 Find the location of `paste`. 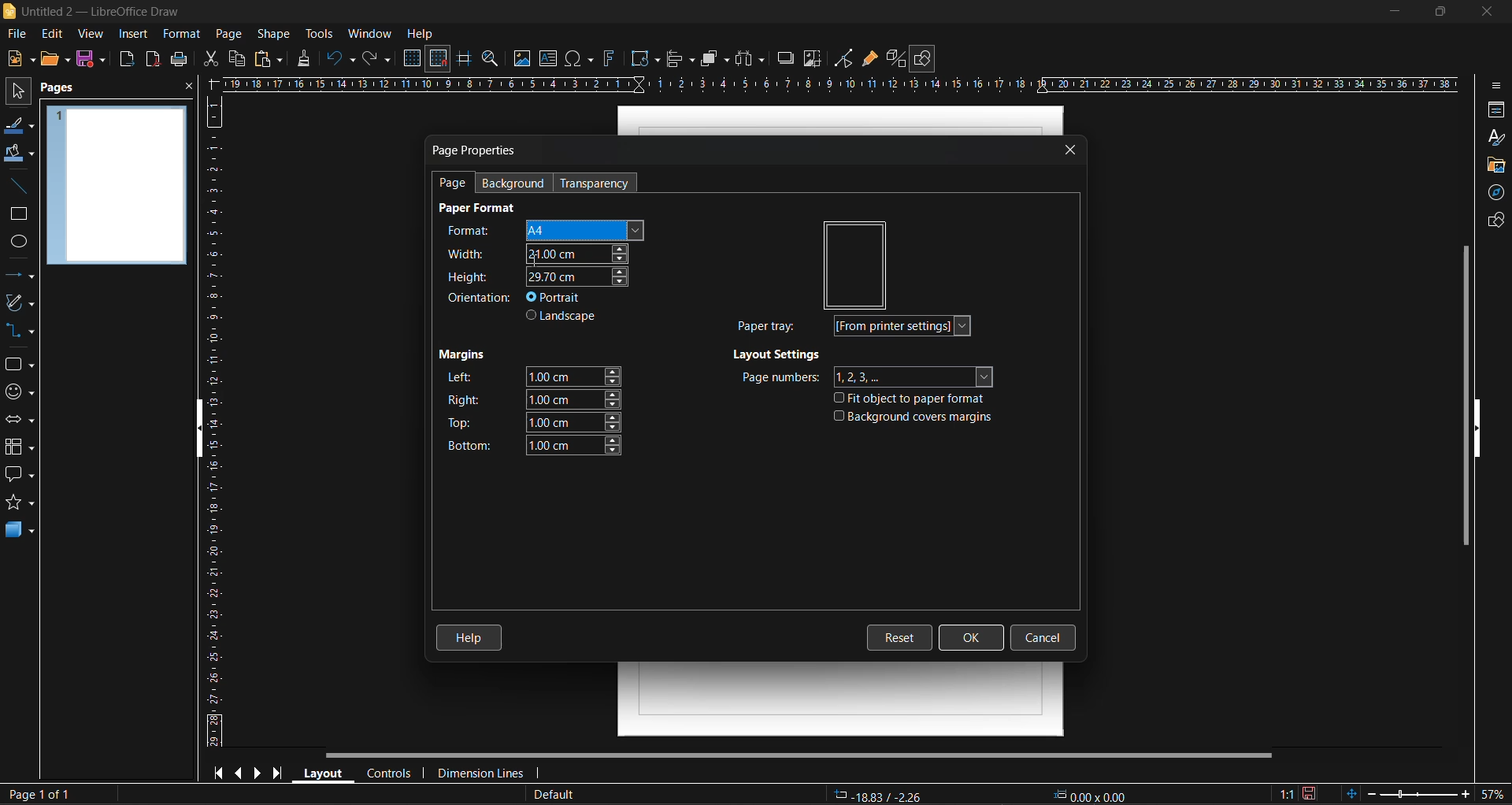

paste is located at coordinates (267, 60).